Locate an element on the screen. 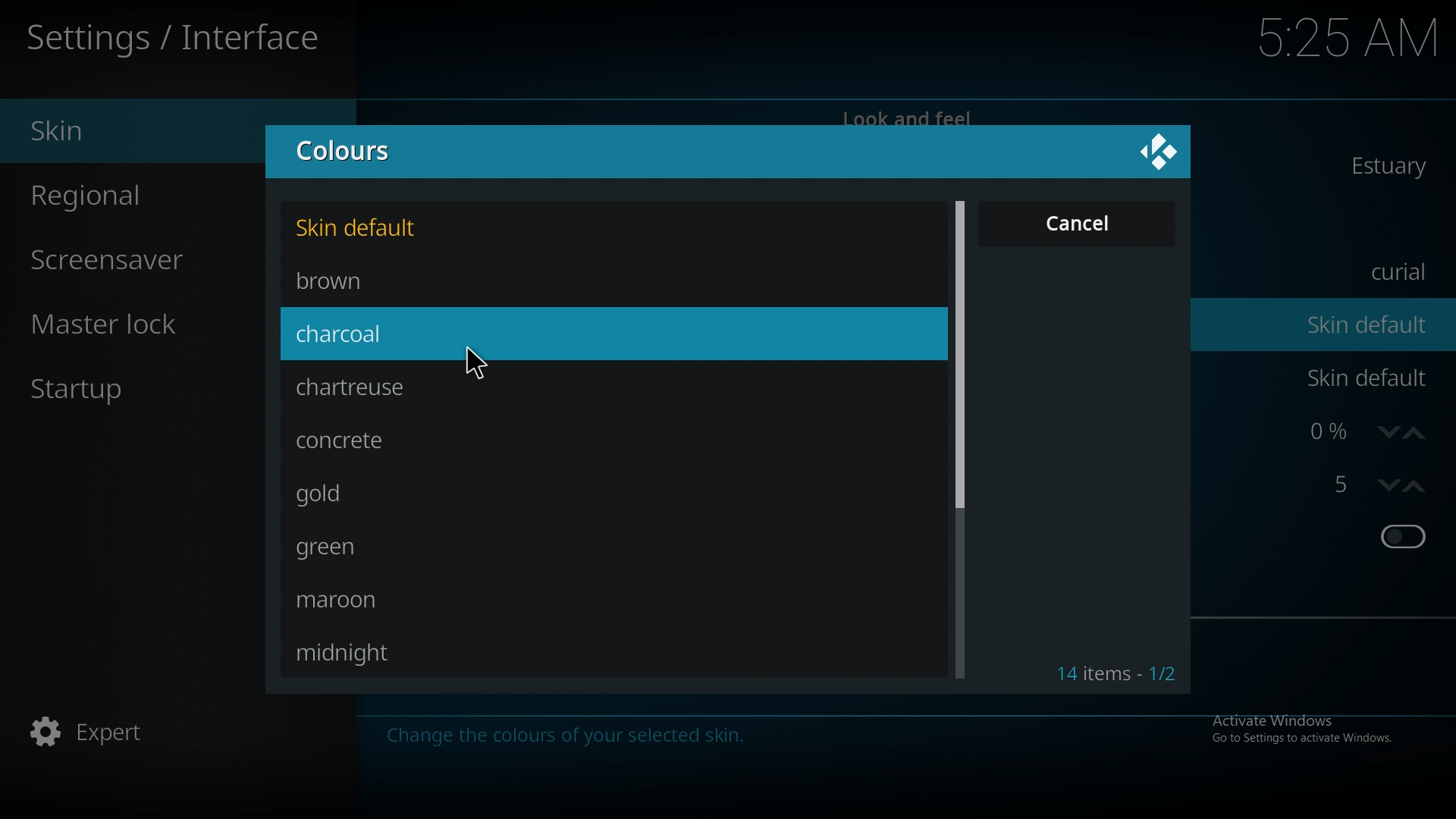  decrease zoom is located at coordinates (1388, 430).